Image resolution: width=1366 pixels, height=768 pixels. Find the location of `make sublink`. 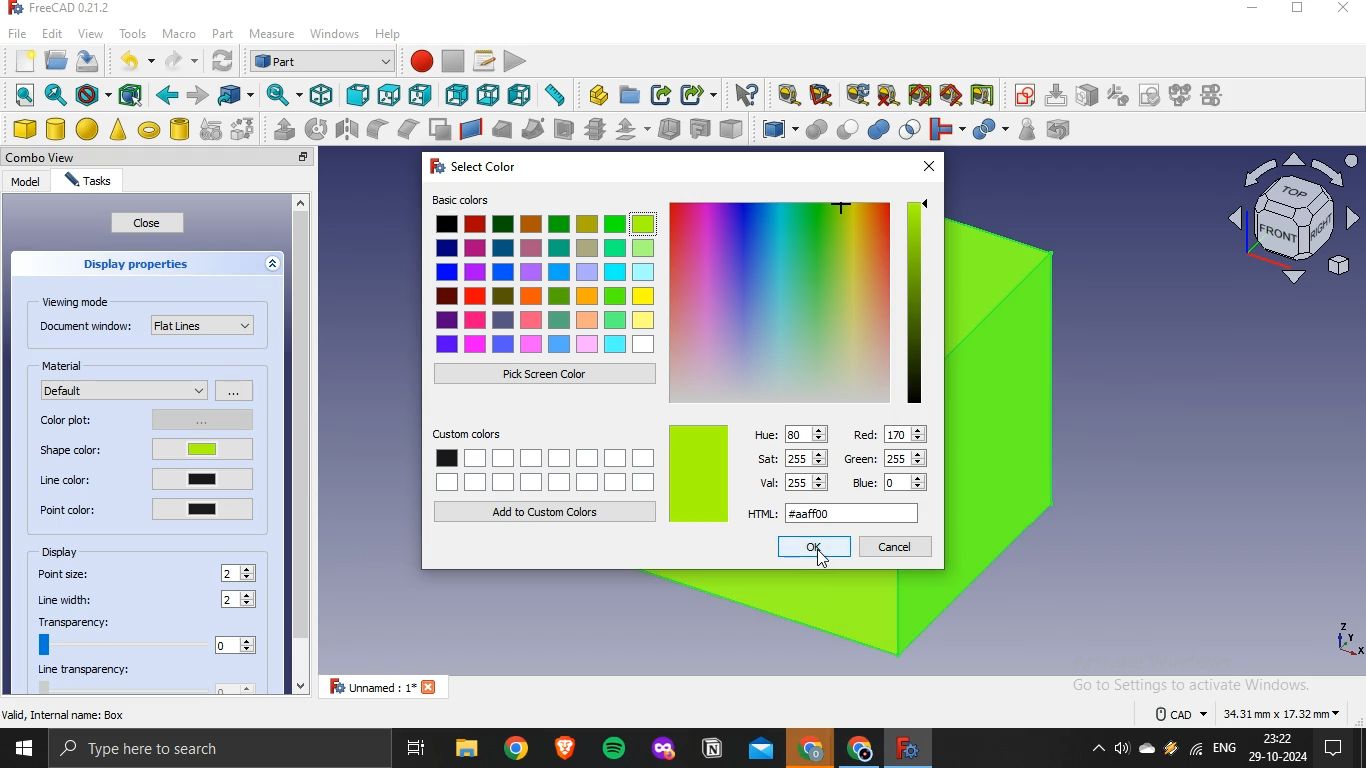

make sublink is located at coordinates (694, 95).